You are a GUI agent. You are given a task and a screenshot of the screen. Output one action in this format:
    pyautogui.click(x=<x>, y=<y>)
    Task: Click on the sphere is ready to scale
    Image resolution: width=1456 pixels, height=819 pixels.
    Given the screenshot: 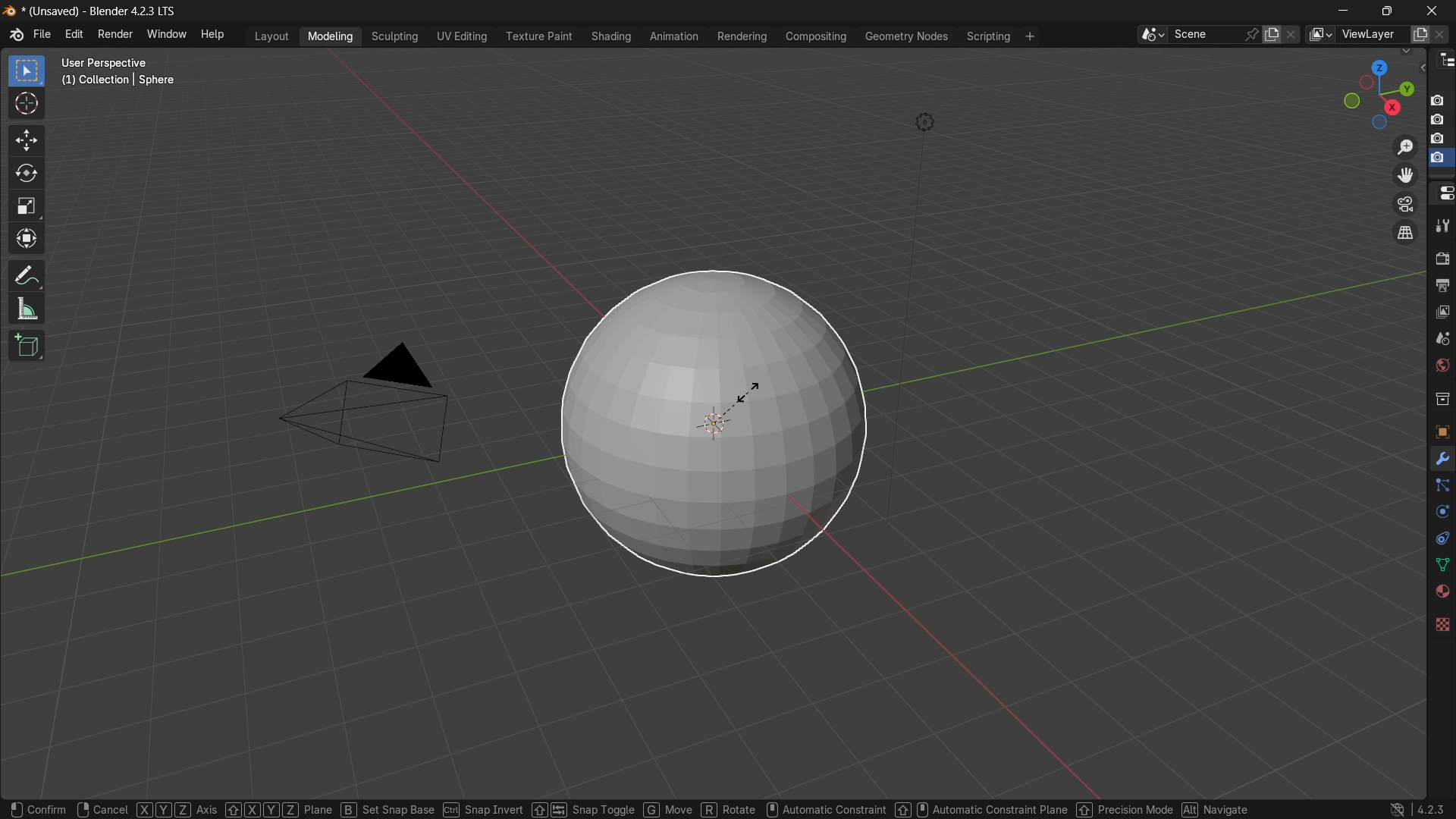 What is the action you would take?
    pyautogui.click(x=734, y=403)
    